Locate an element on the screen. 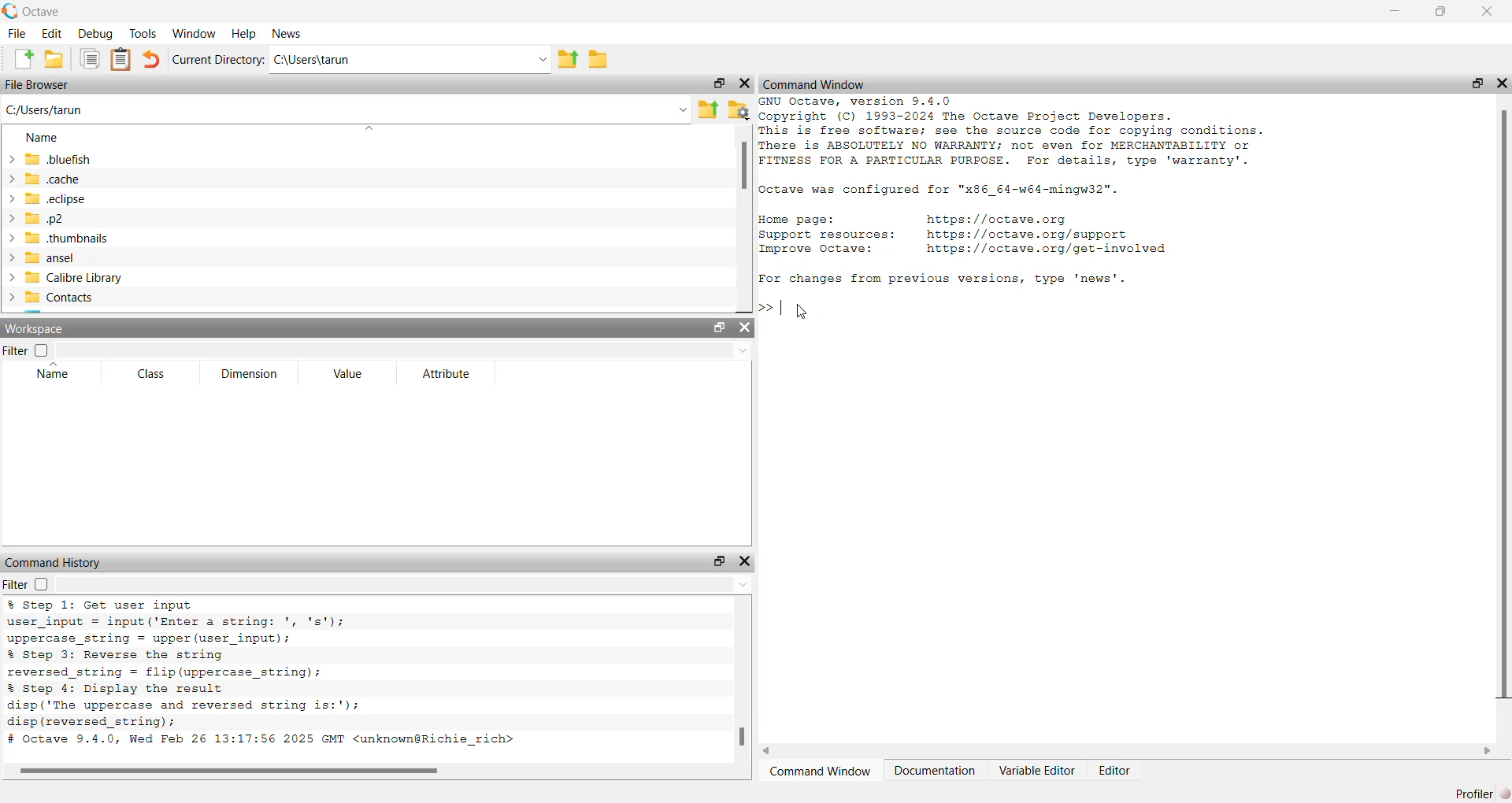  enter the path or filename is located at coordinates (345, 109).